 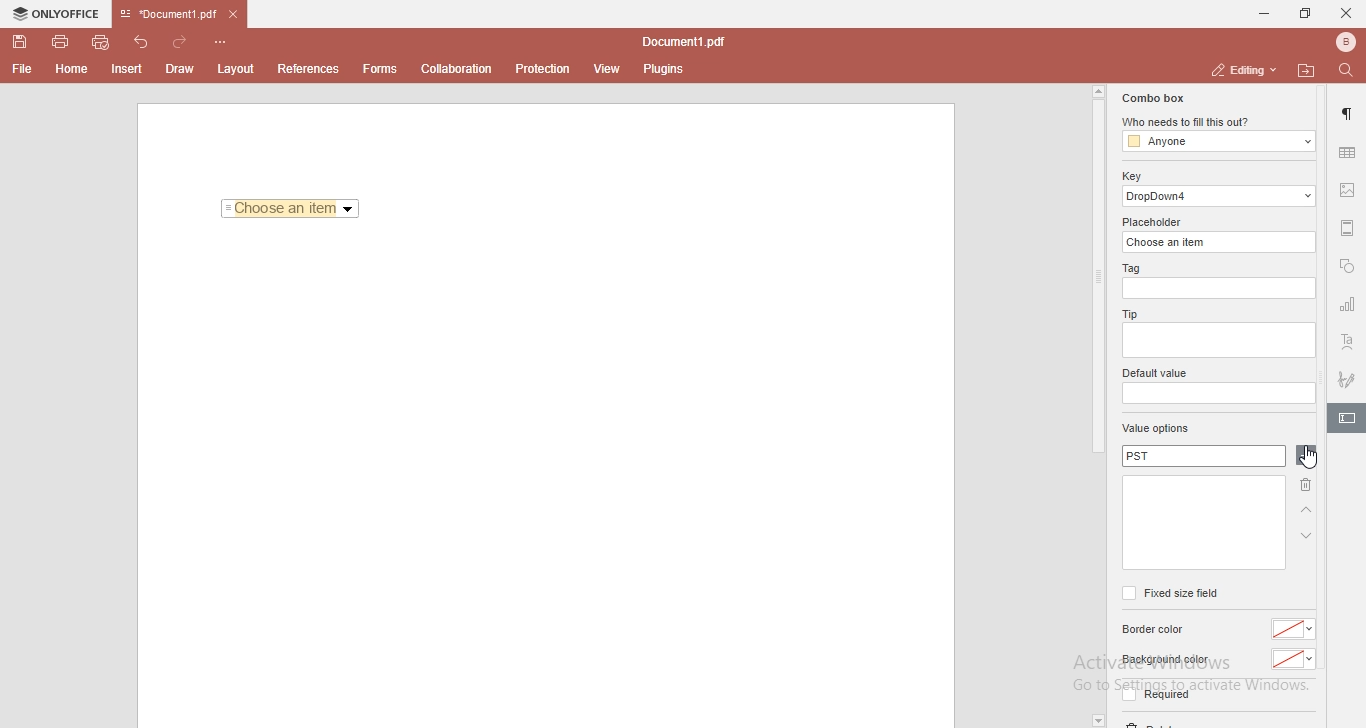 What do you see at coordinates (1296, 629) in the screenshot?
I see `color dropdown` at bounding box center [1296, 629].